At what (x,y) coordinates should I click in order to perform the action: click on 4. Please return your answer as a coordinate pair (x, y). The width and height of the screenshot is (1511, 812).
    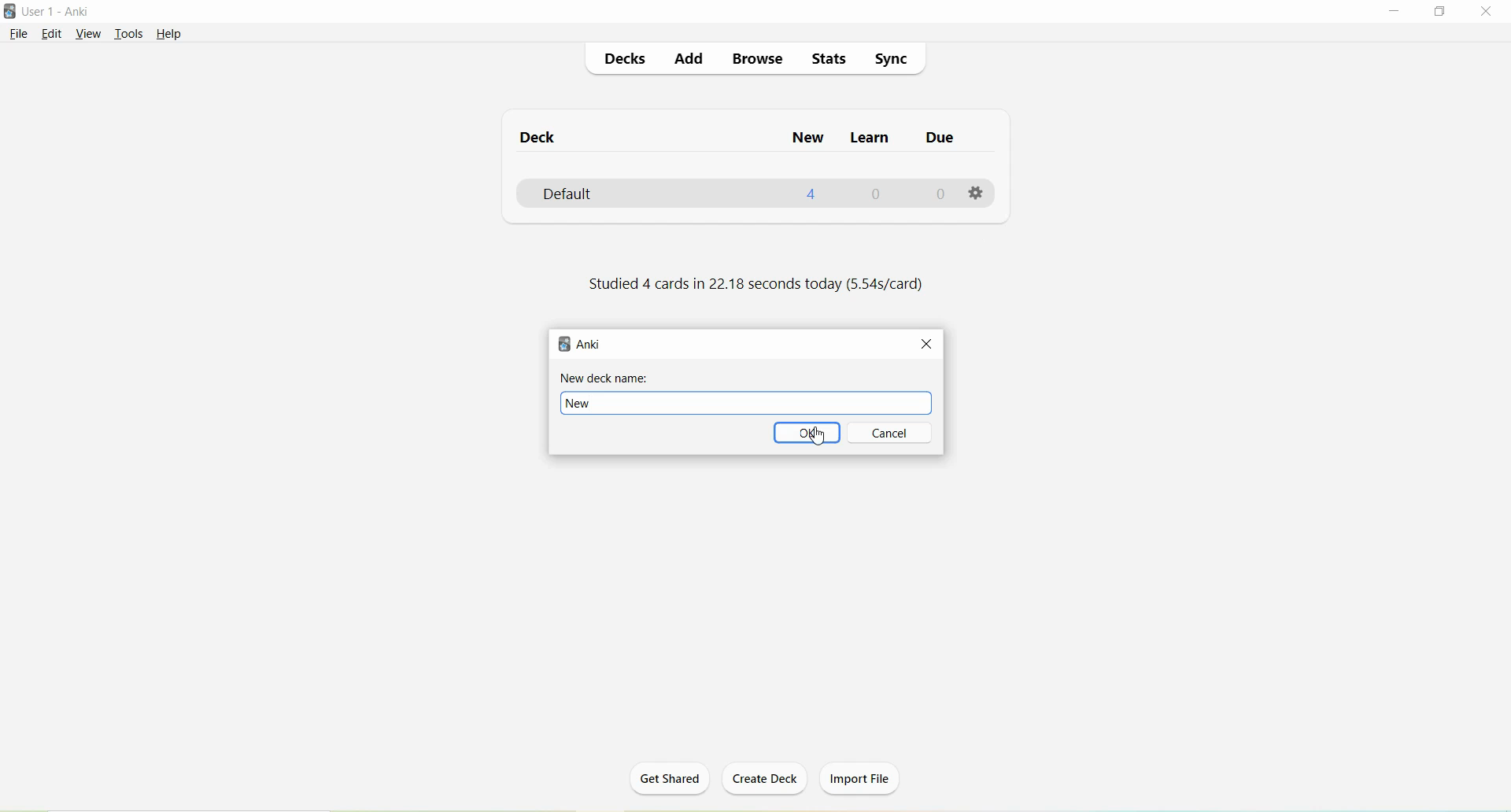
    Looking at the image, I should click on (812, 194).